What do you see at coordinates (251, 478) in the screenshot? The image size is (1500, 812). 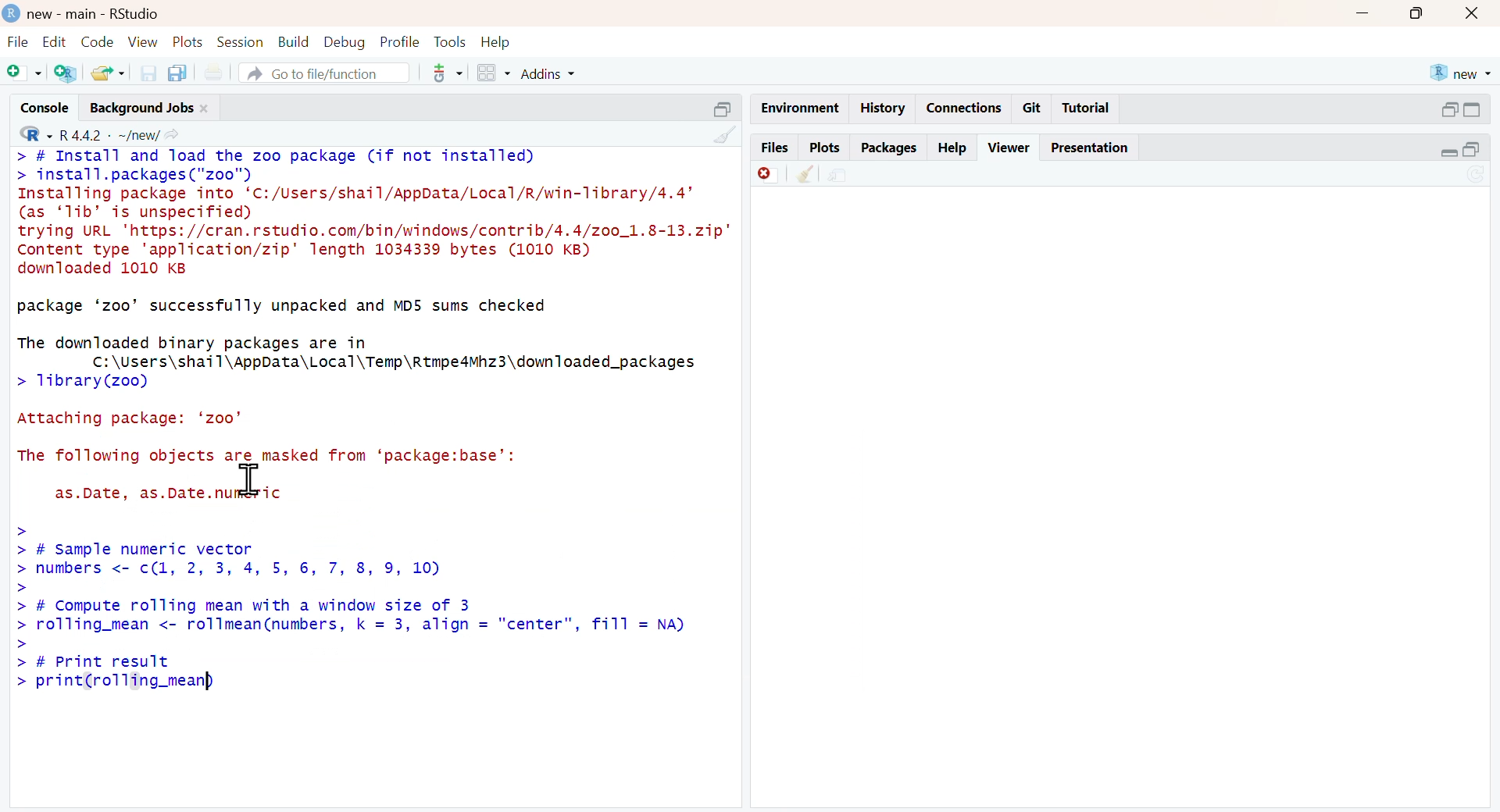 I see `cursor` at bounding box center [251, 478].